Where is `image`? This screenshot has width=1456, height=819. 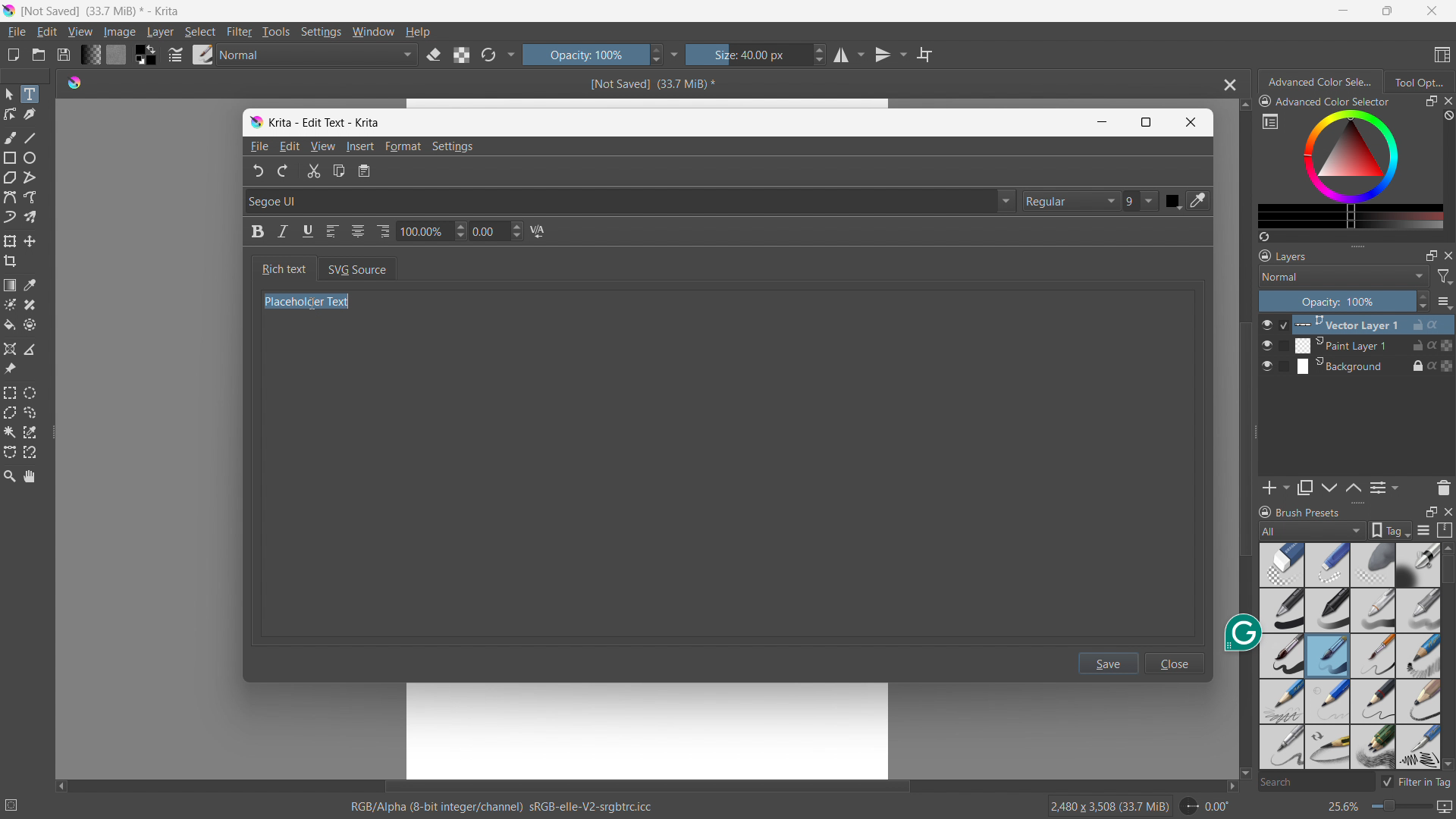 image is located at coordinates (121, 33).